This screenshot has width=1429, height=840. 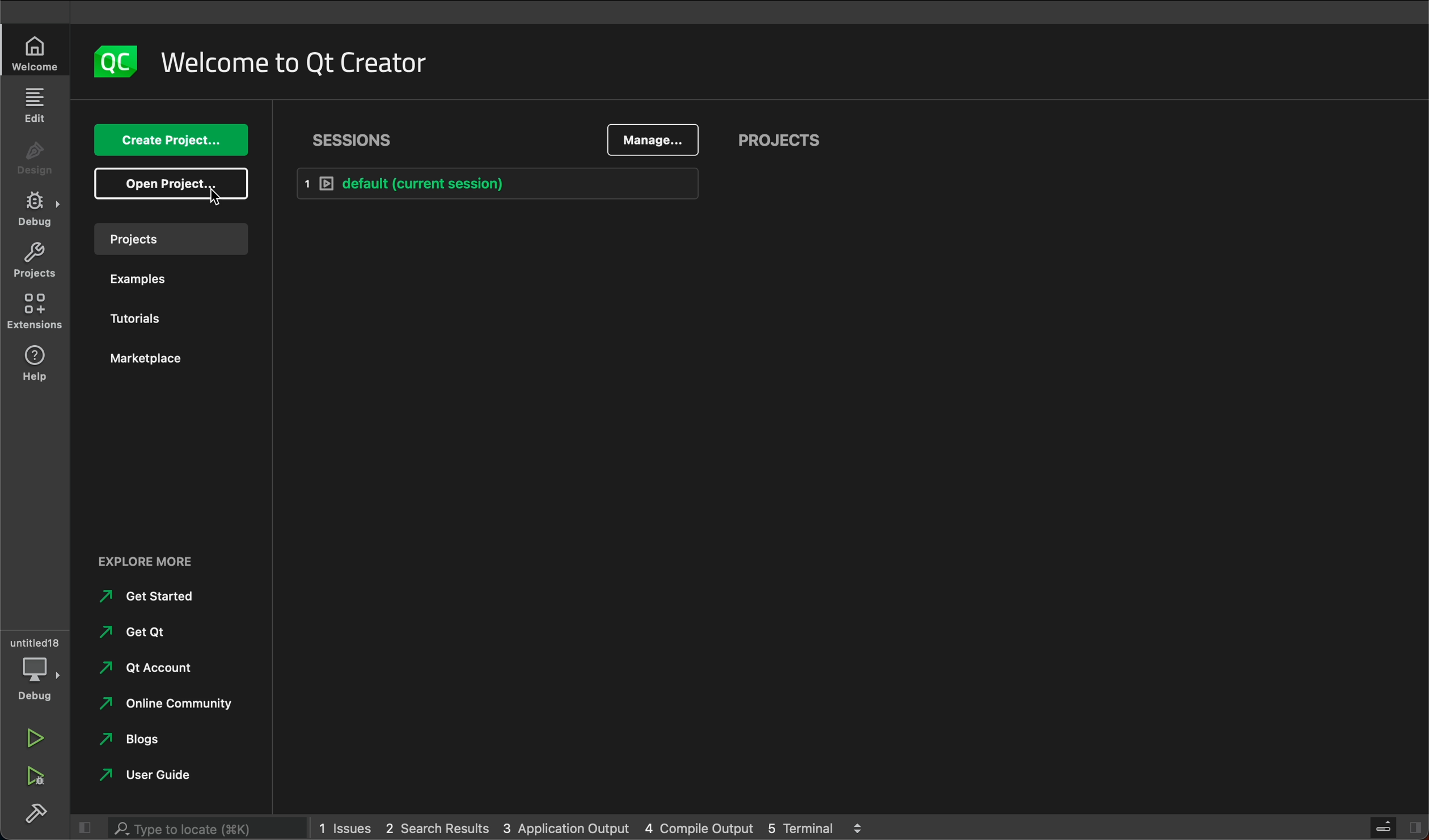 I want to click on debug, so click(x=40, y=678).